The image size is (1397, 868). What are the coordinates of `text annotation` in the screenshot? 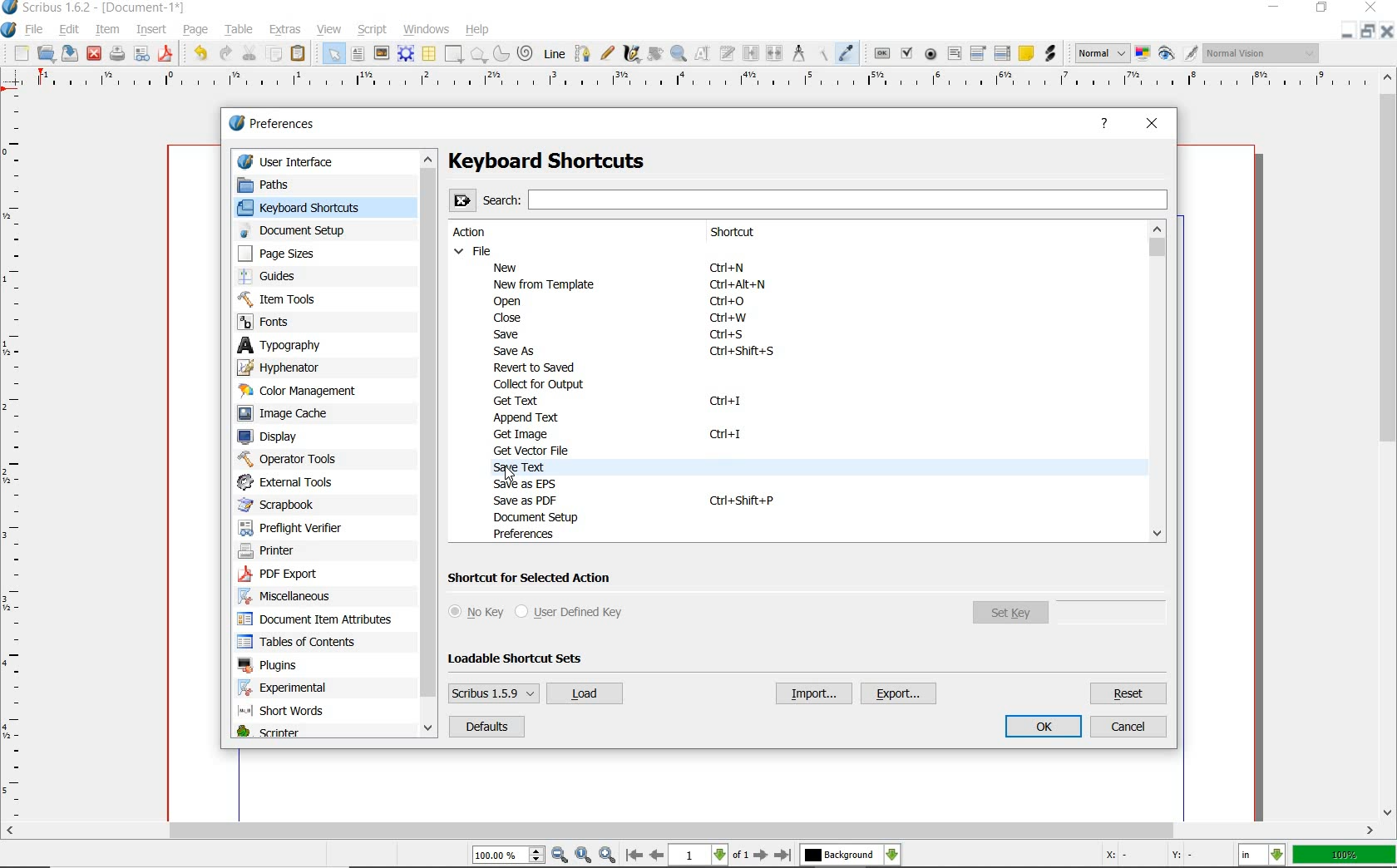 It's located at (1026, 53).